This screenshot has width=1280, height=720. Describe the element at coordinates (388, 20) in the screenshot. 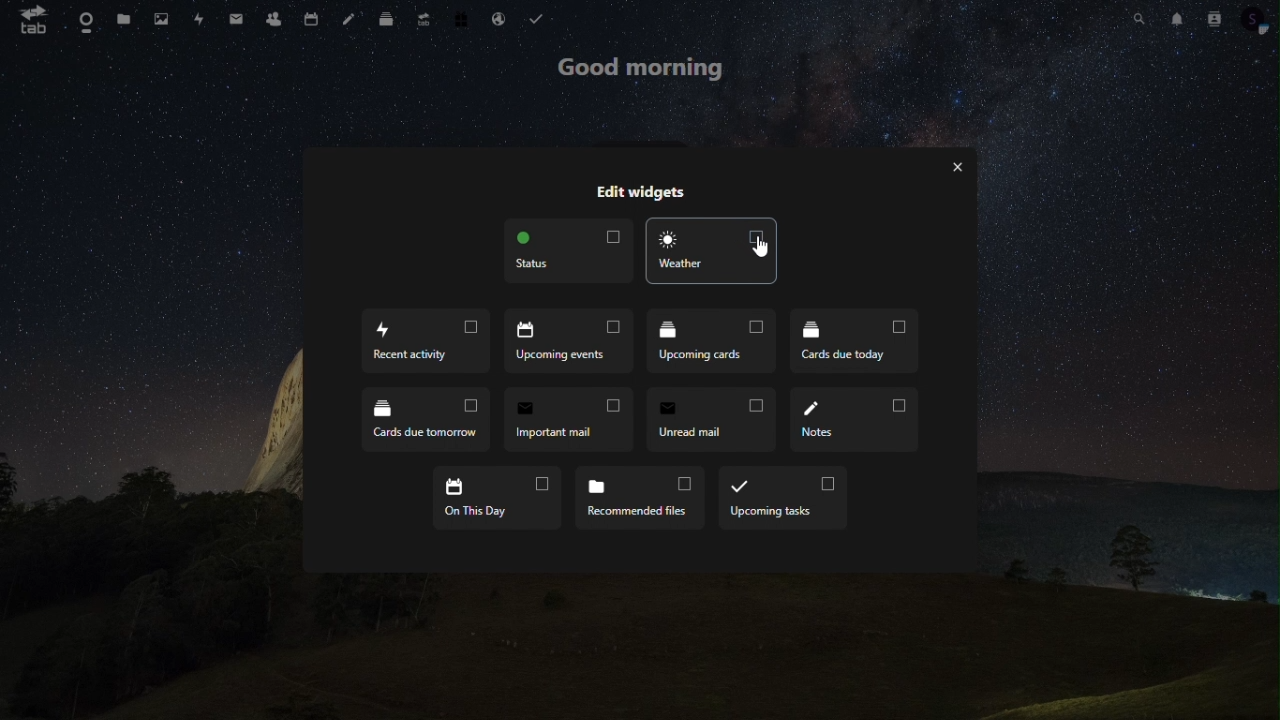

I see `deck` at that location.